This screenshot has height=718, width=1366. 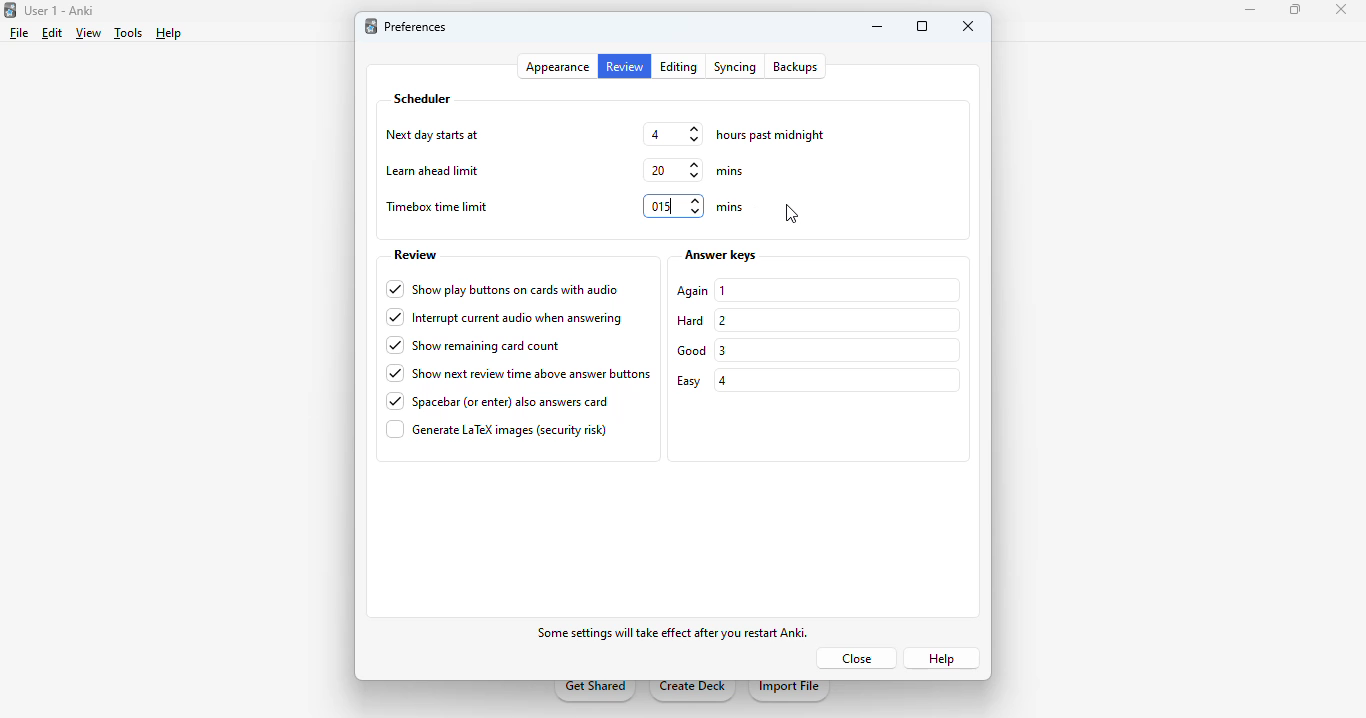 I want to click on review, so click(x=415, y=256).